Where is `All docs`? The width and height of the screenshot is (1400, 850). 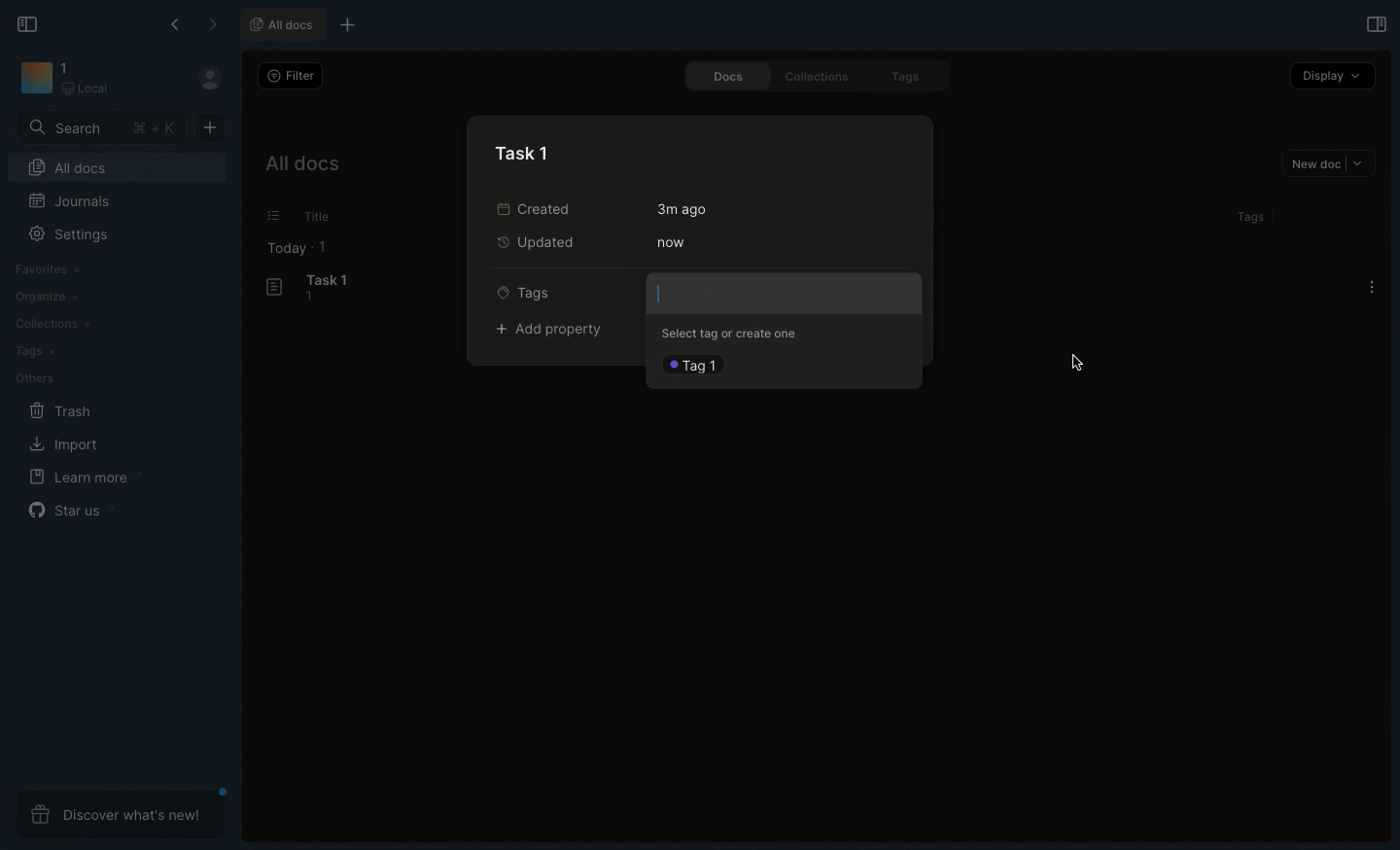
All docs is located at coordinates (68, 166).